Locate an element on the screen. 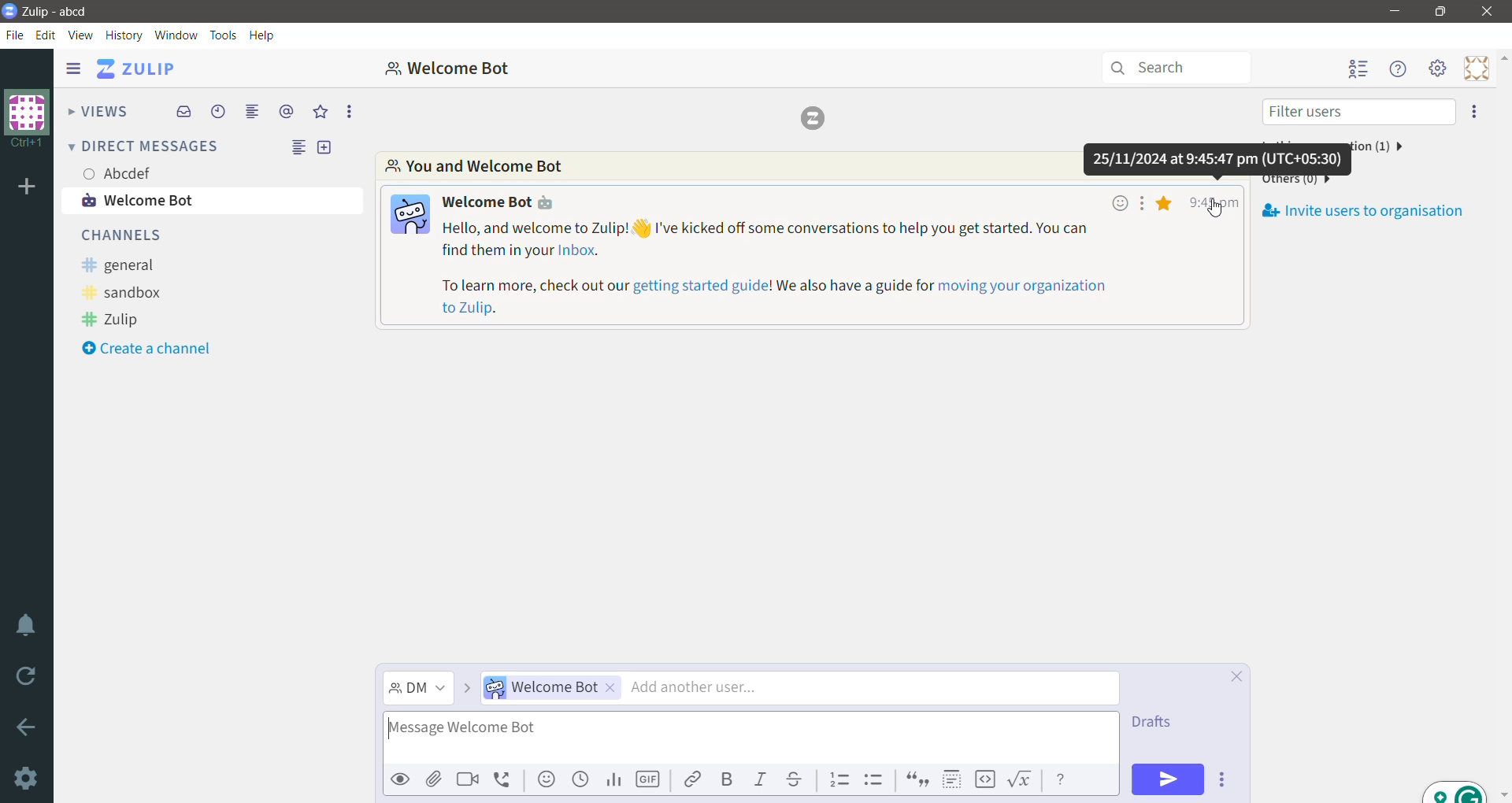 The width and height of the screenshot is (1512, 803). View Bot card is located at coordinates (409, 215).